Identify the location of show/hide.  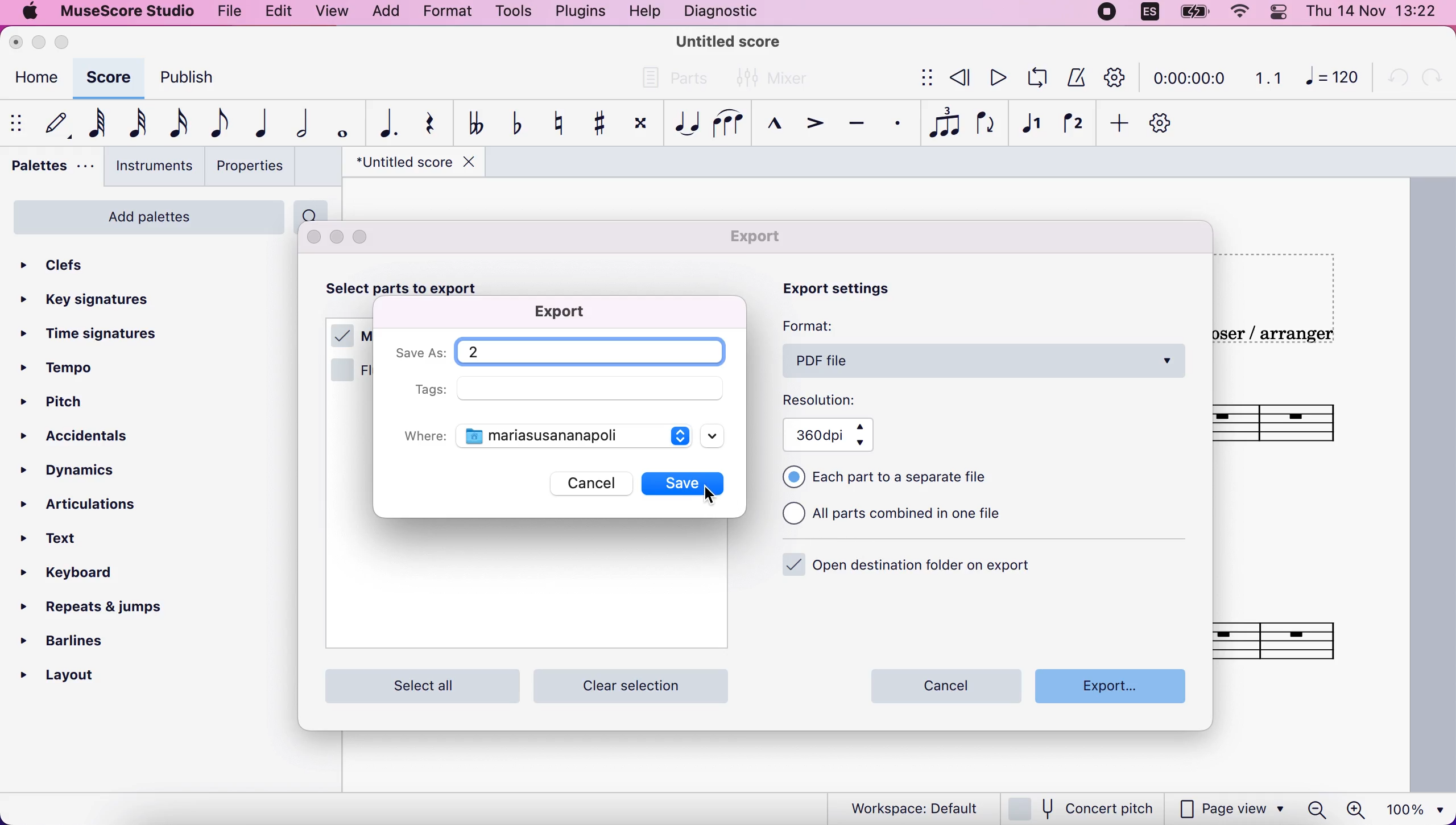
(15, 122).